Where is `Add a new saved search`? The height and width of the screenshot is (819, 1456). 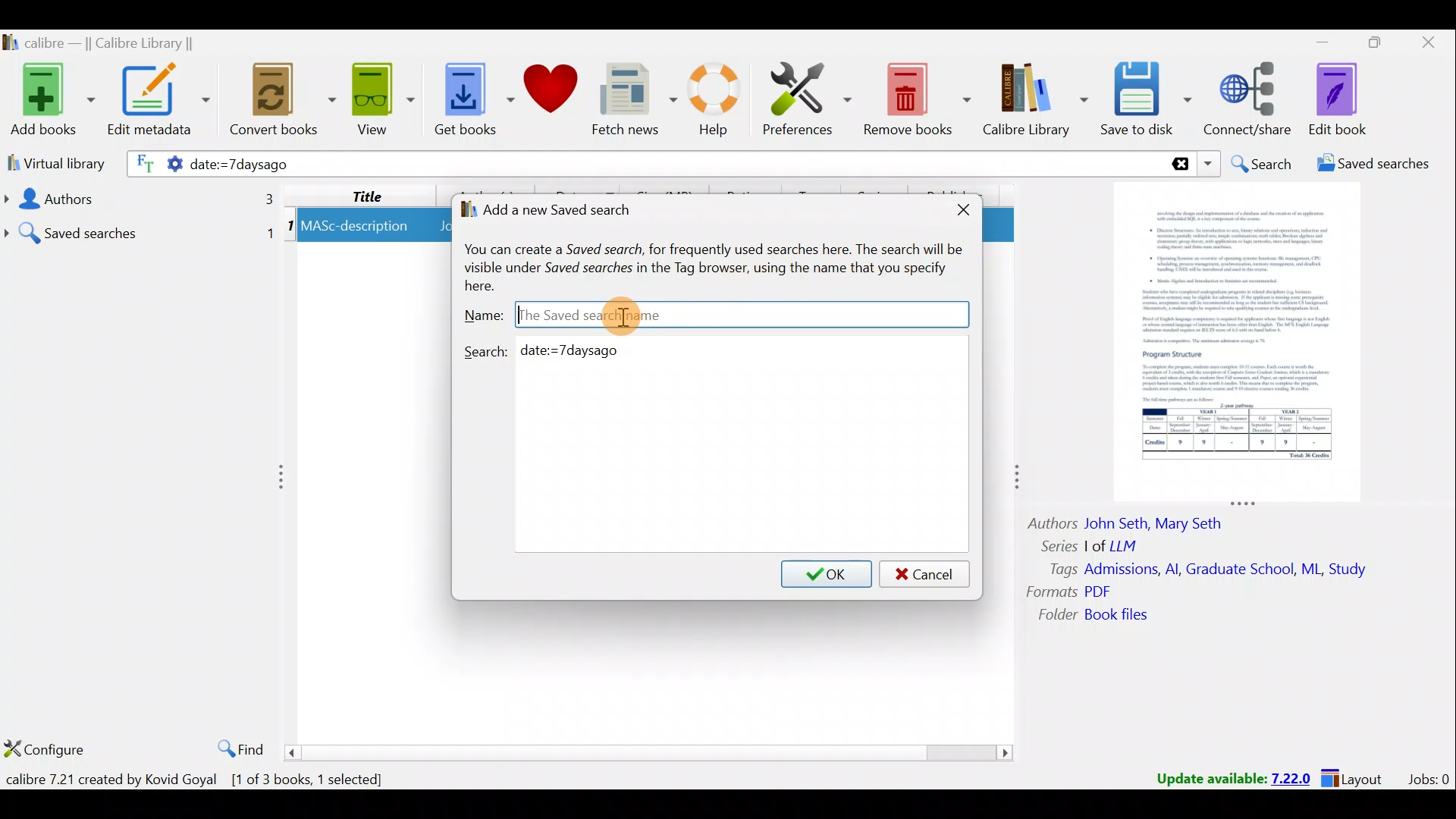
Add a new saved search is located at coordinates (563, 207).